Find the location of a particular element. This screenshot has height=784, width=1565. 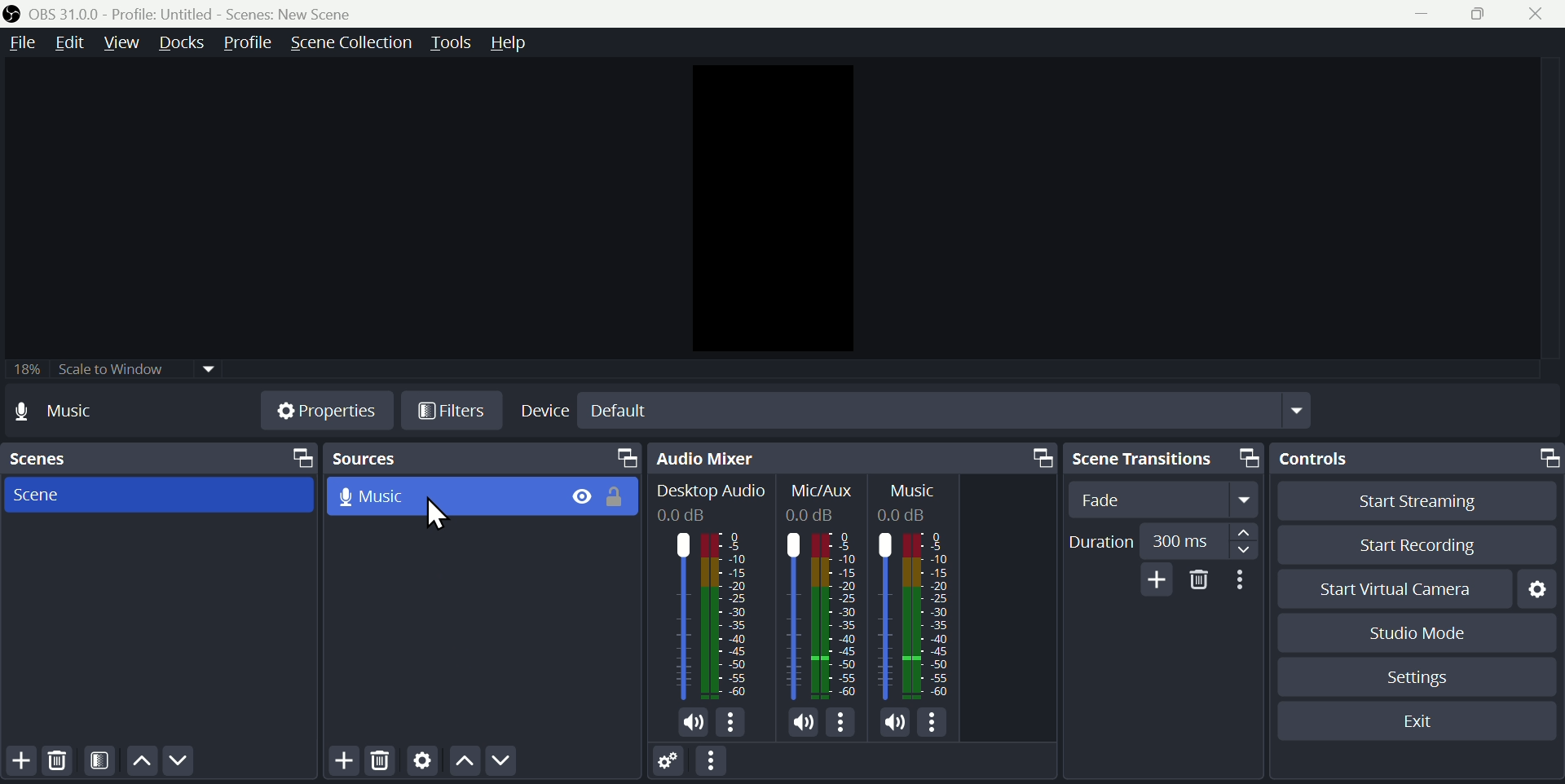

 is located at coordinates (693, 516).